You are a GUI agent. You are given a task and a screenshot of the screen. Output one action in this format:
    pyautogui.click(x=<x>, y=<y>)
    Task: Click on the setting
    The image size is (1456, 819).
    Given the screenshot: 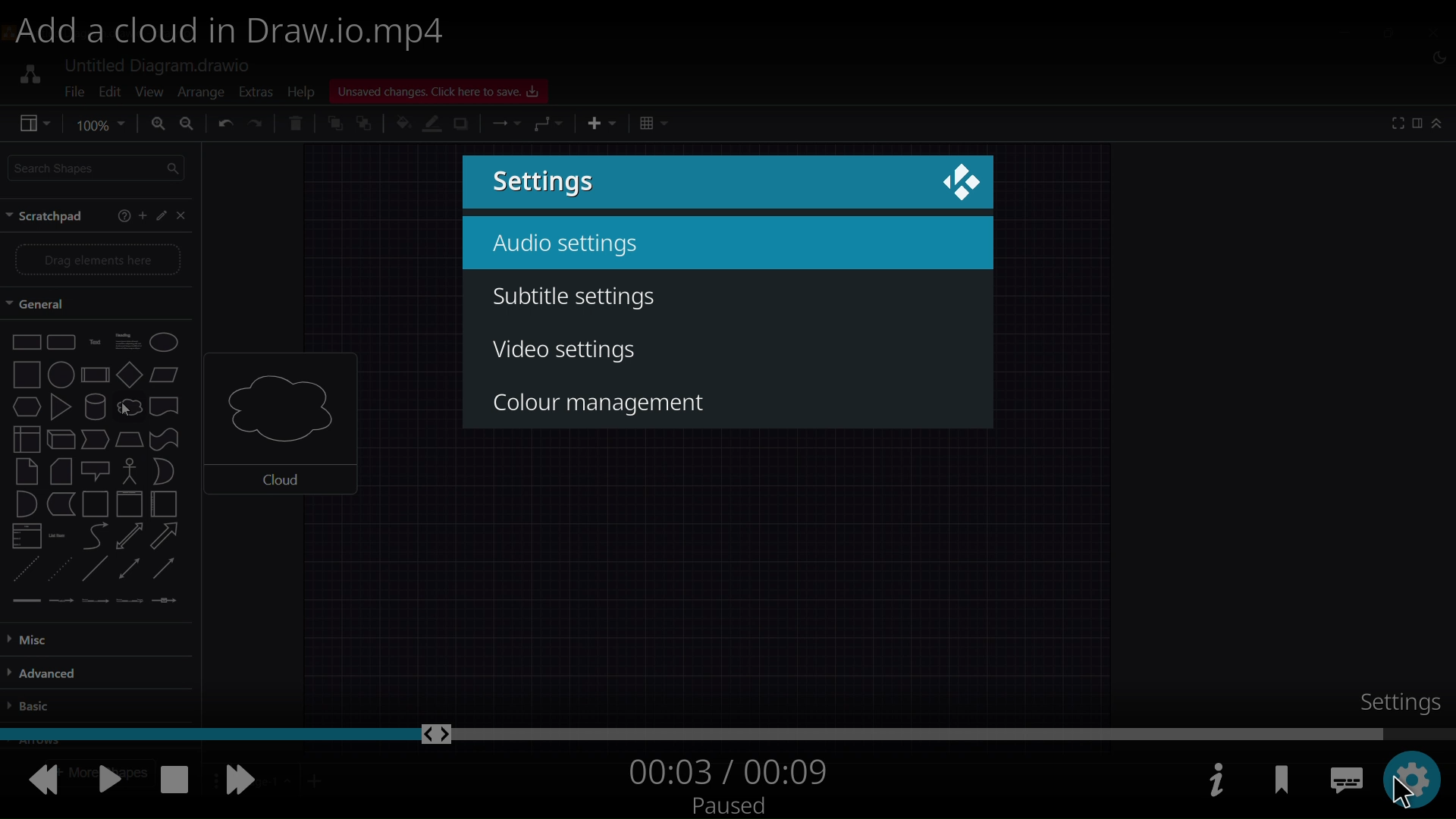 What is the action you would take?
    pyautogui.click(x=548, y=181)
    